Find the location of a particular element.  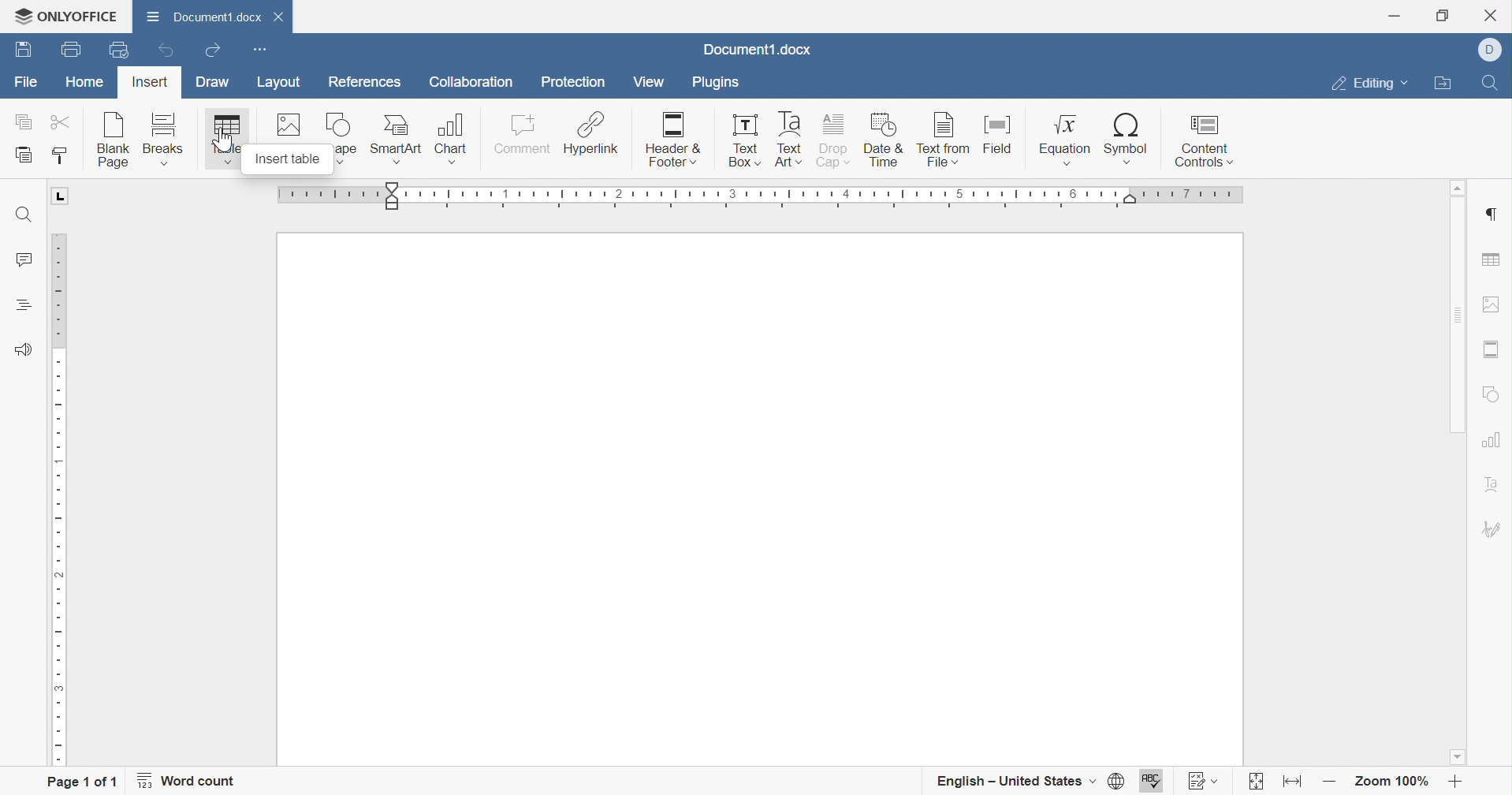

Copy is located at coordinates (19, 121).